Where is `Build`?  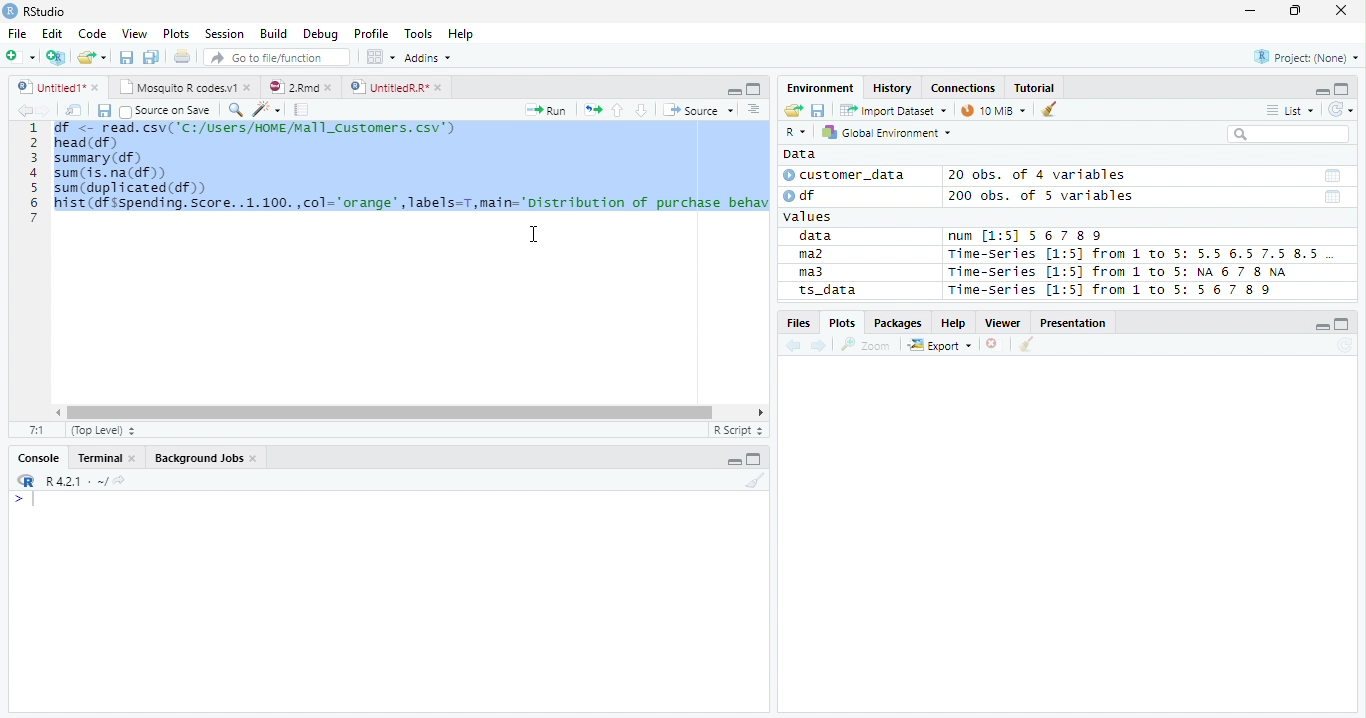
Build is located at coordinates (276, 35).